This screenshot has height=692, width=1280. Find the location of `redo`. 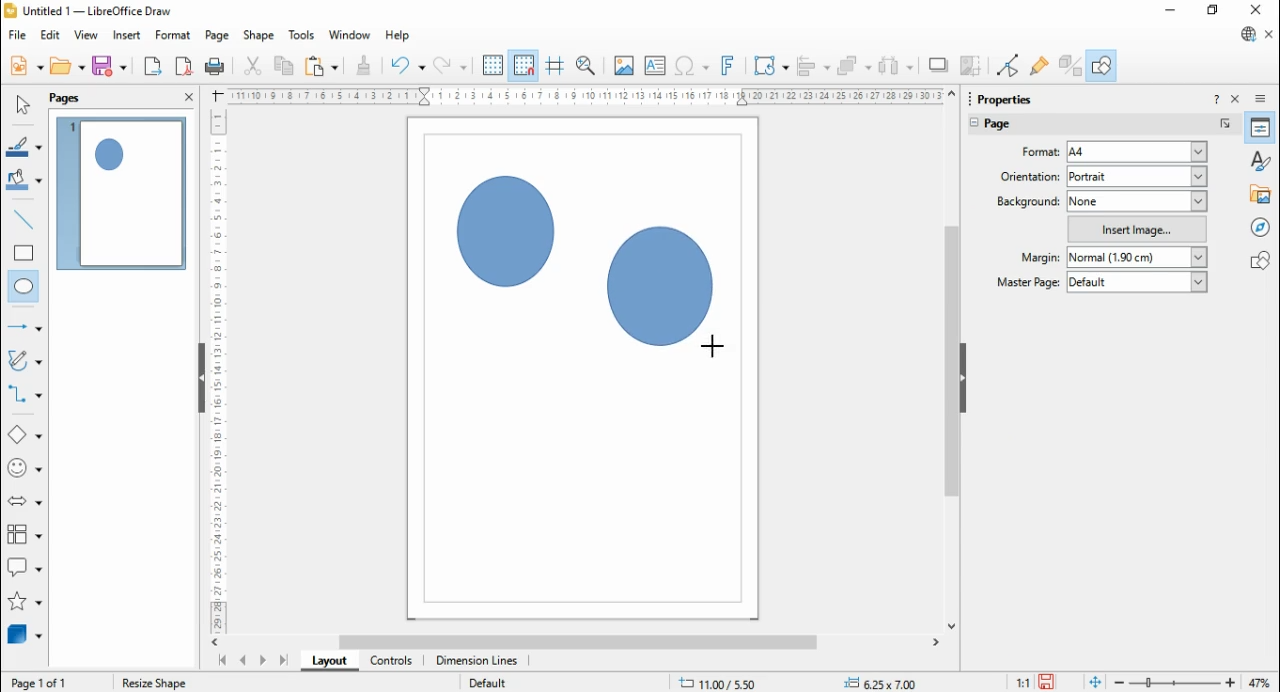

redo is located at coordinates (450, 66).